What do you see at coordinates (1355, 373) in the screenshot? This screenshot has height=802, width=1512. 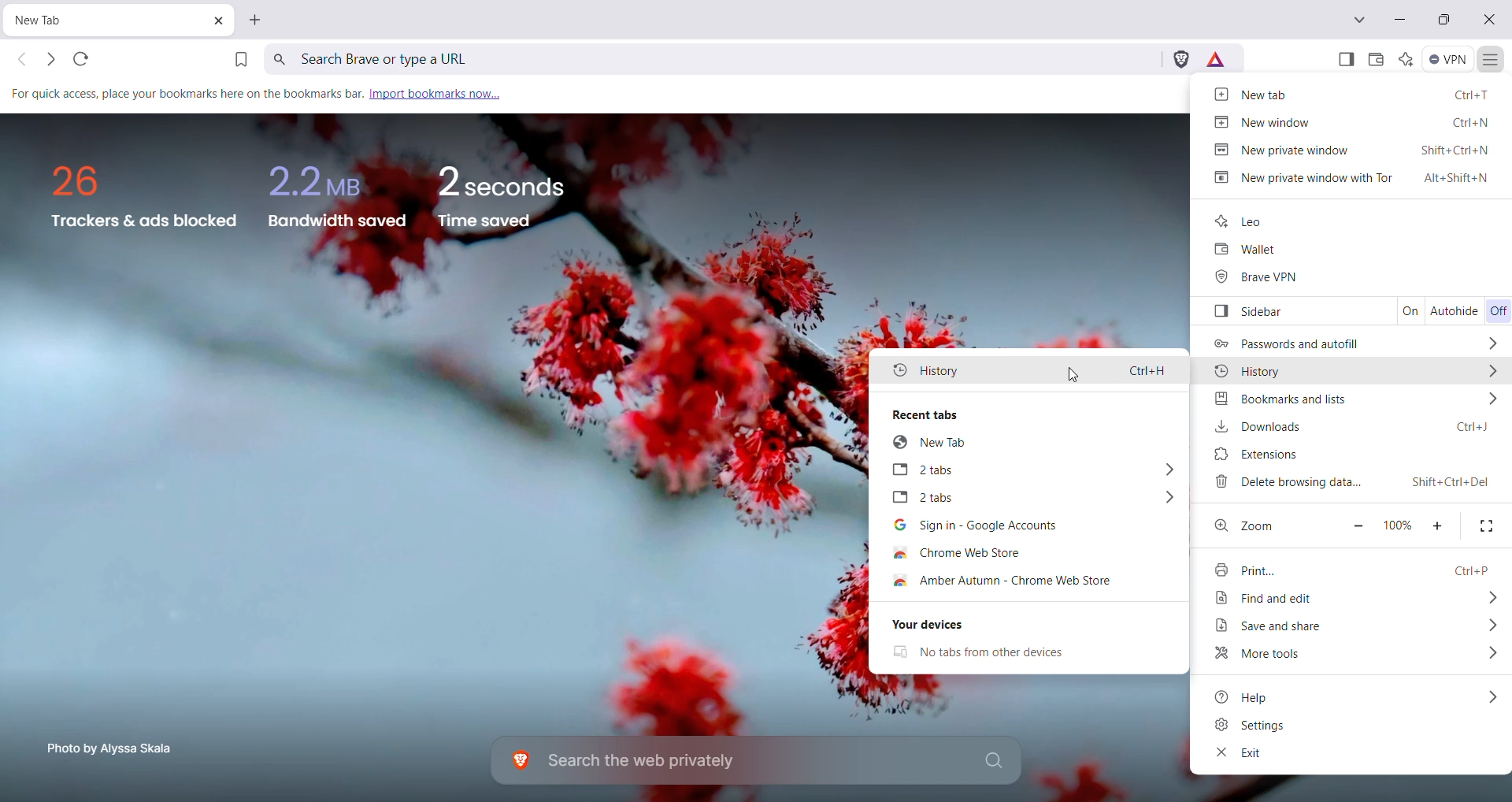 I see `History` at bounding box center [1355, 373].